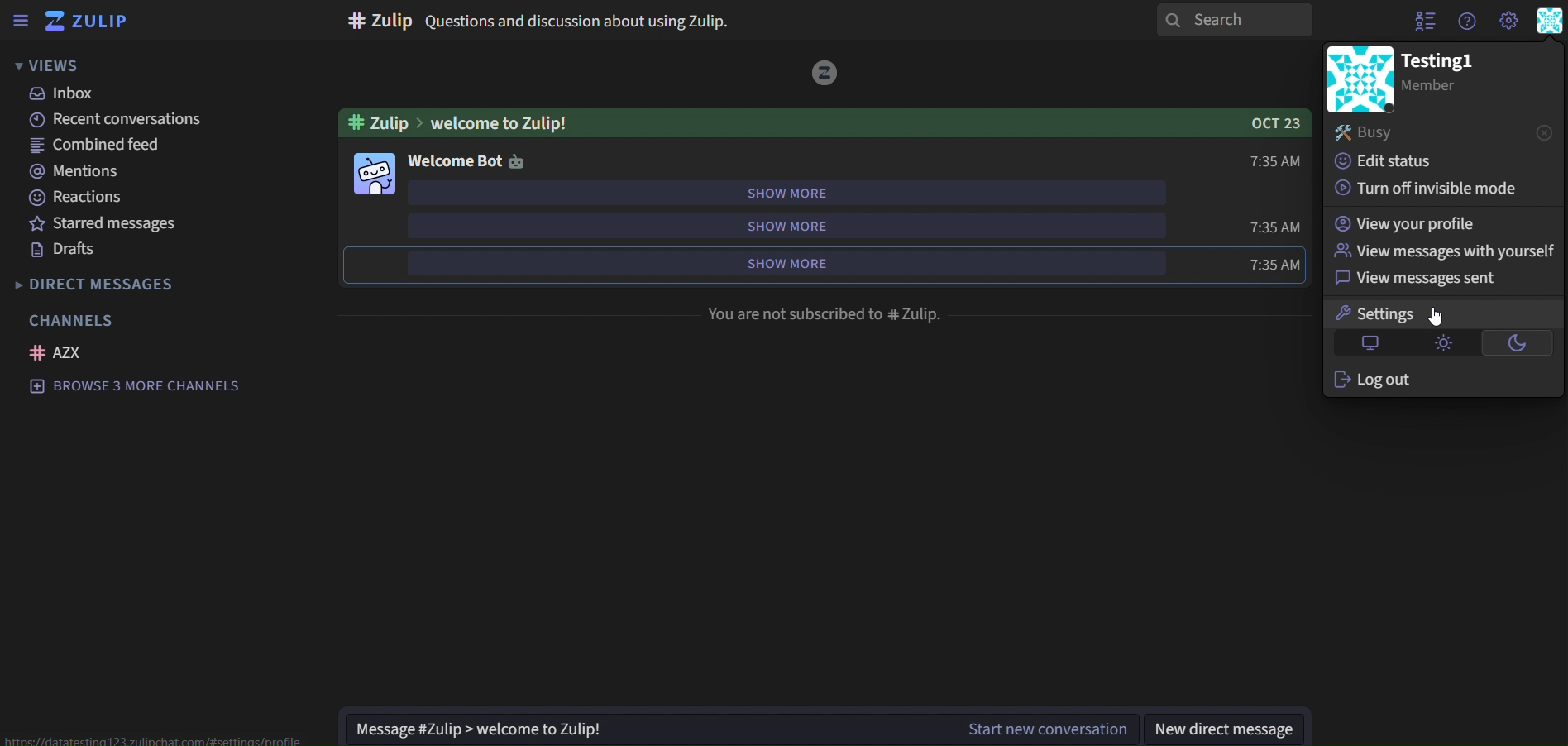 This screenshot has width=1568, height=746. I want to click on 7:35, so click(1275, 160).